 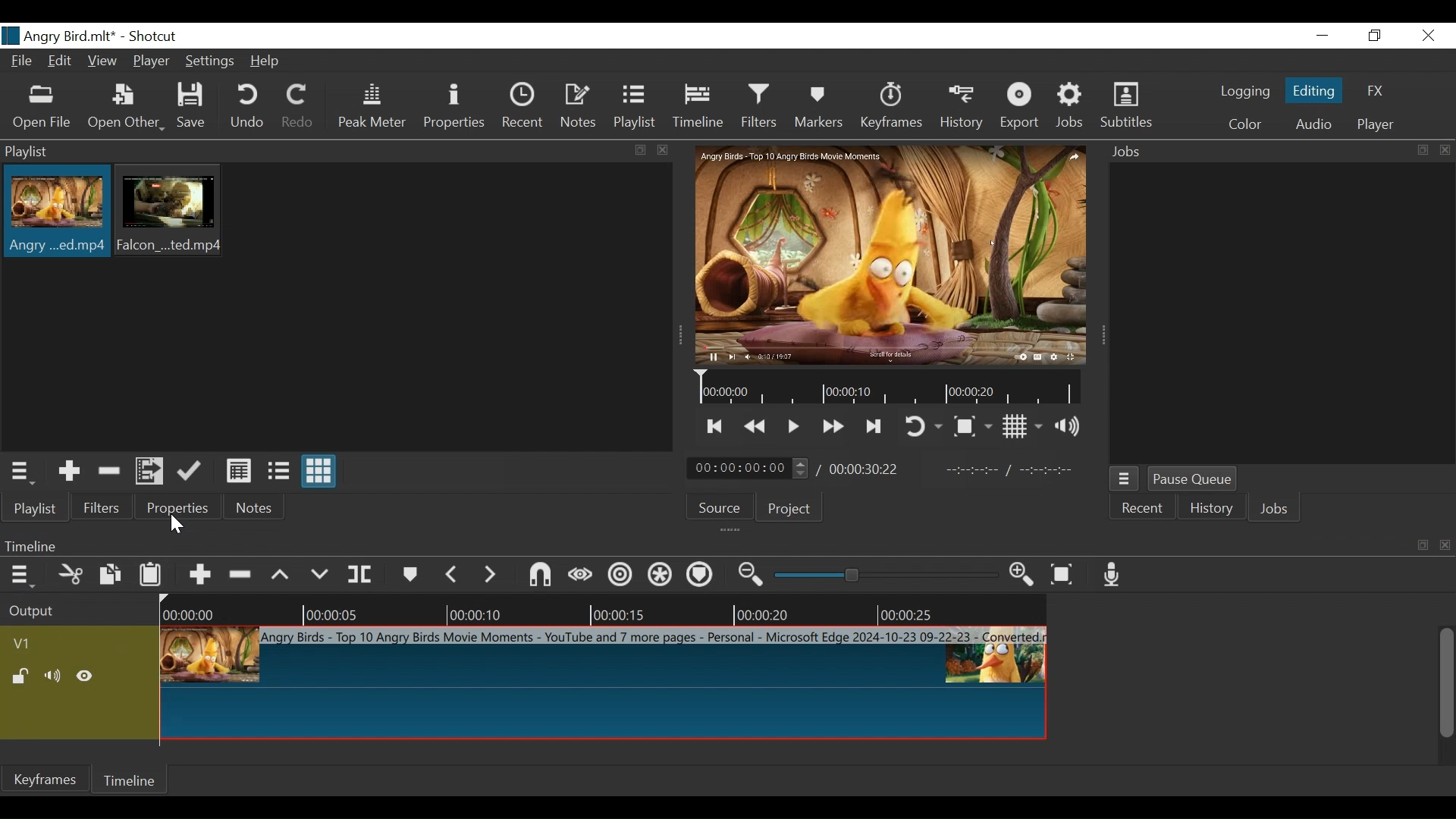 I want to click on Clip on timeline, so click(x=602, y=686).